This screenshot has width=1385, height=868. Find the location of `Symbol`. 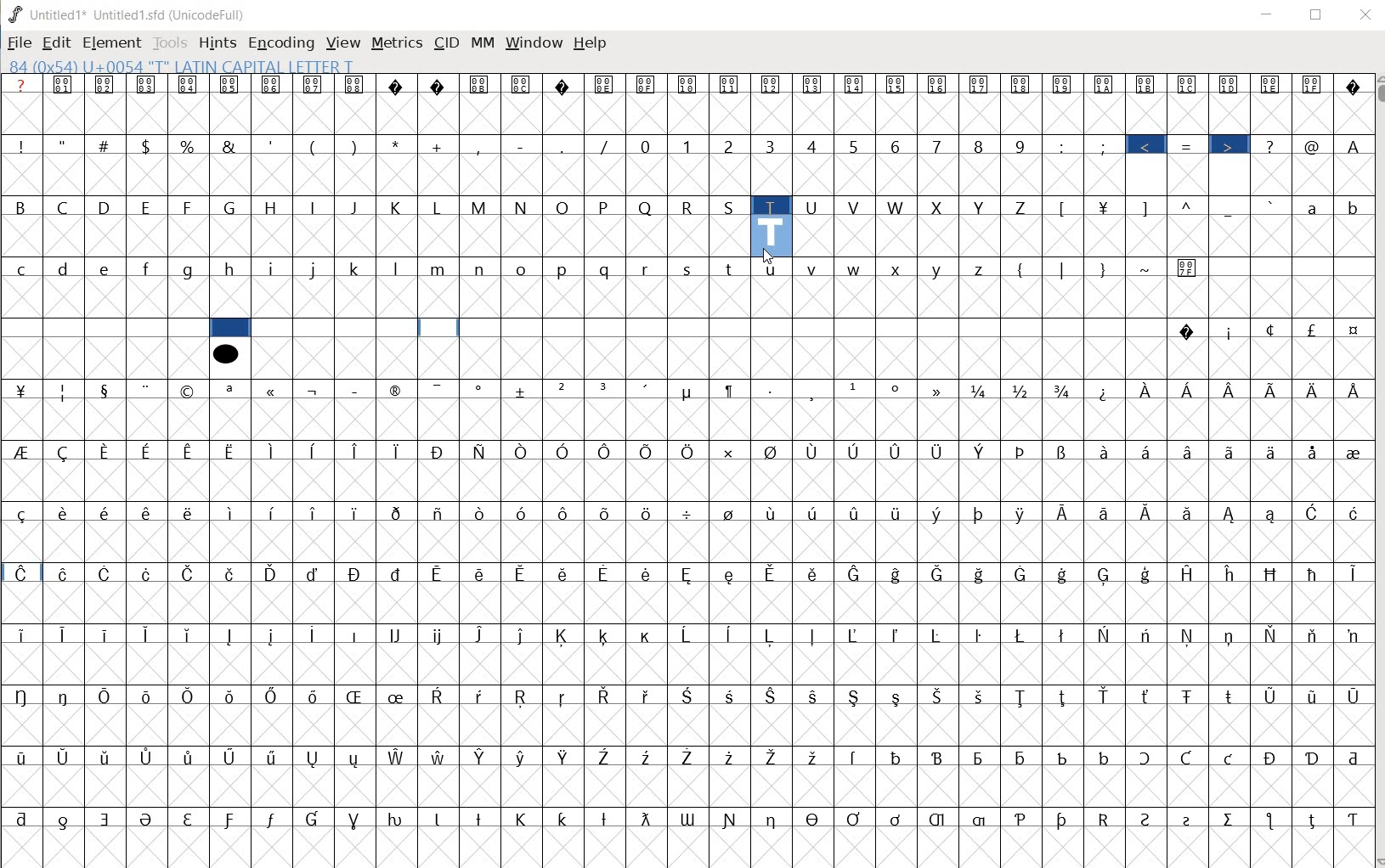

Symbol is located at coordinates (813, 573).